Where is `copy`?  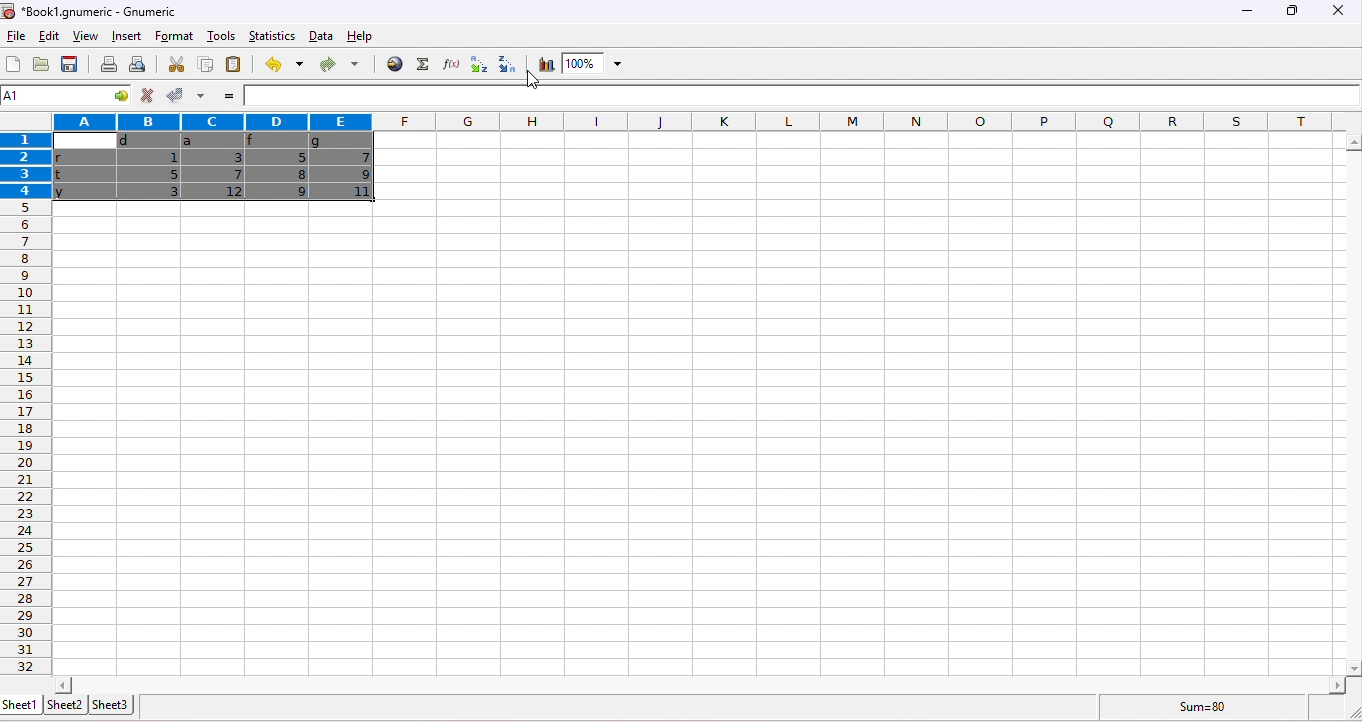
copy is located at coordinates (203, 64).